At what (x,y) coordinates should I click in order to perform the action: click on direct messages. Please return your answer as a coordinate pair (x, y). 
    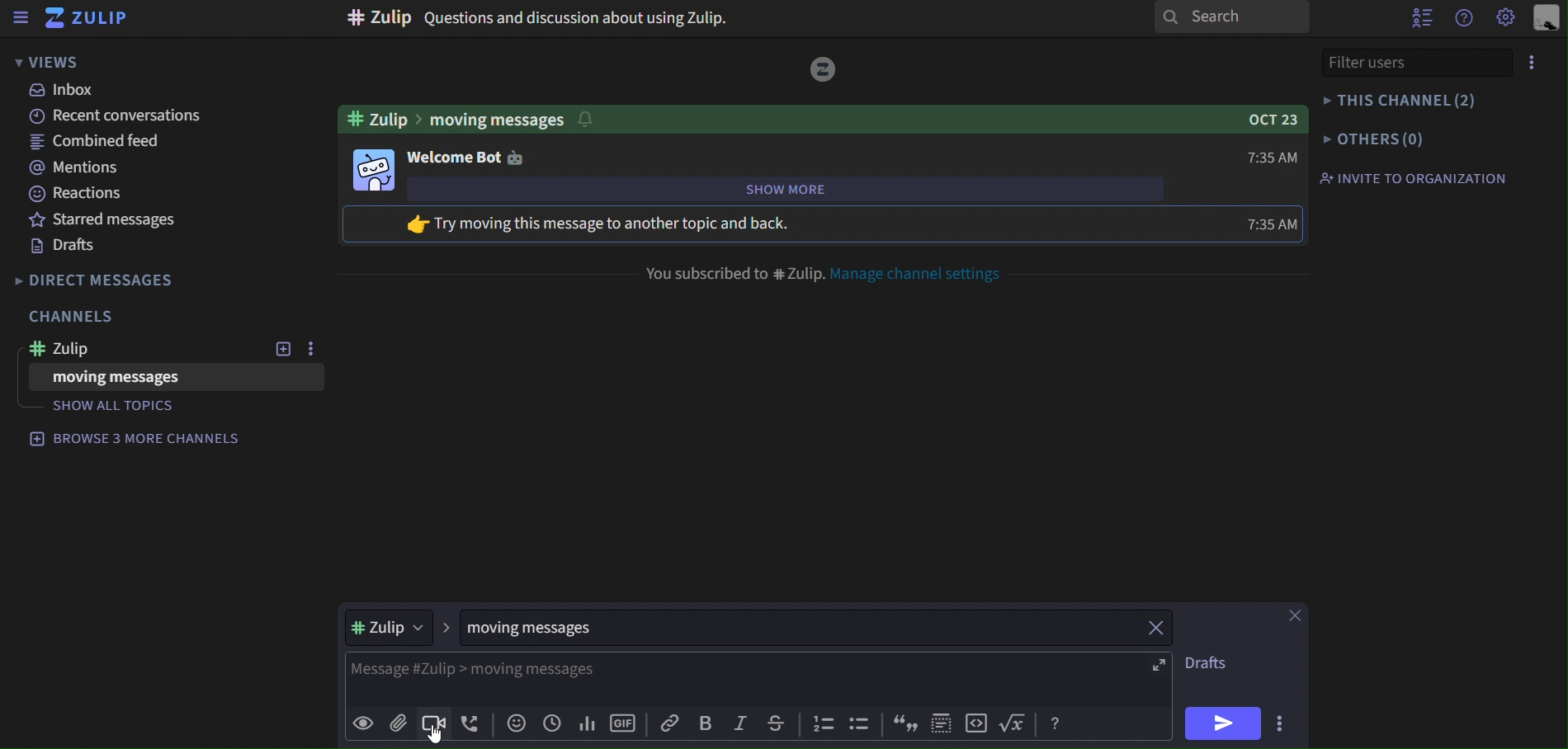
    Looking at the image, I should click on (106, 282).